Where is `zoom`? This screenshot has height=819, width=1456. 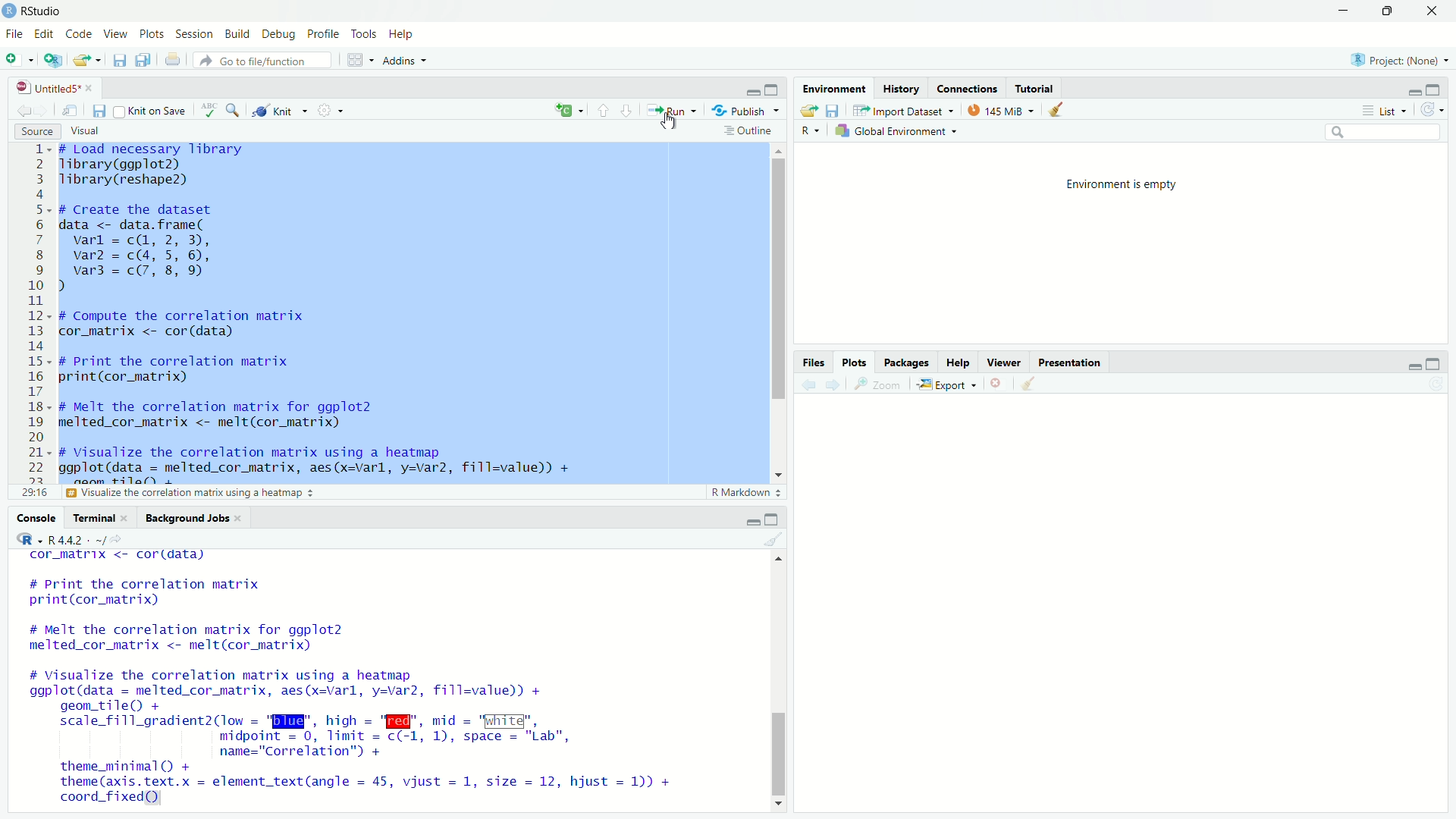
zoom is located at coordinates (881, 384).